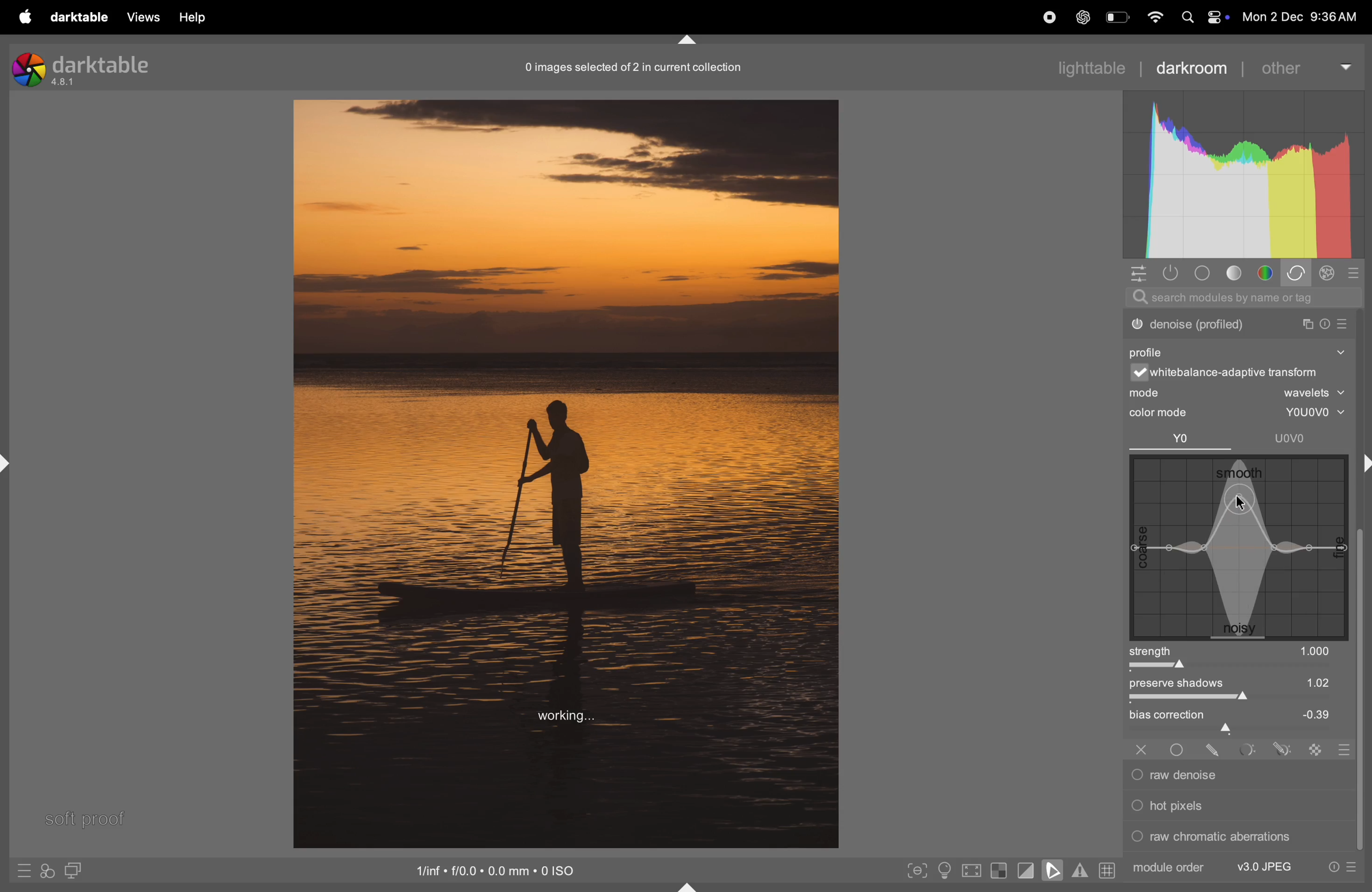 The width and height of the screenshot is (1372, 892). Describe the element at coordinates (999, 872) in the screenshot. I see `toggle indication for raw exposure` at that location.